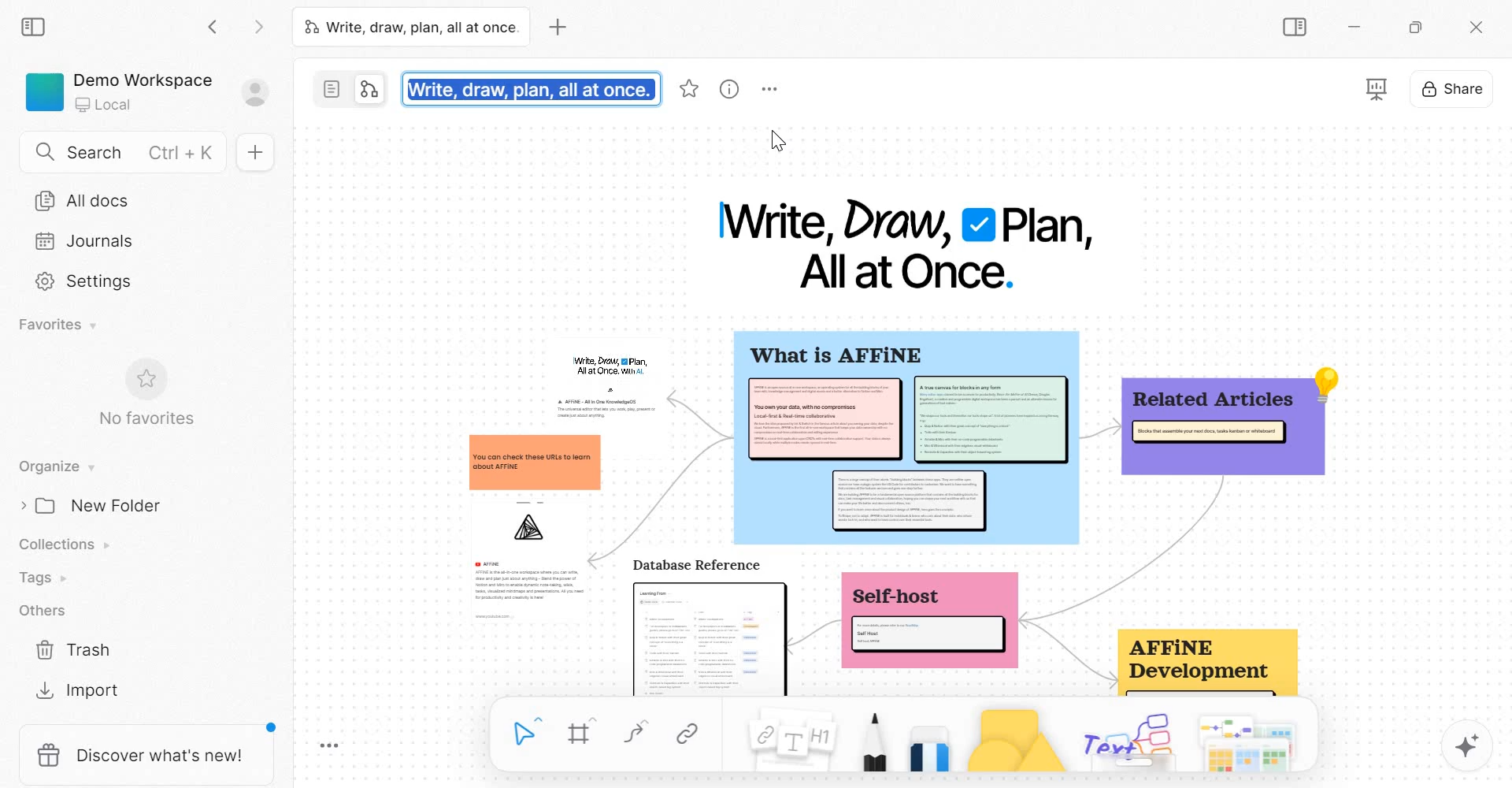 This screenshot has width=1512, height=788. I want to click on Others, so click(41, 611).